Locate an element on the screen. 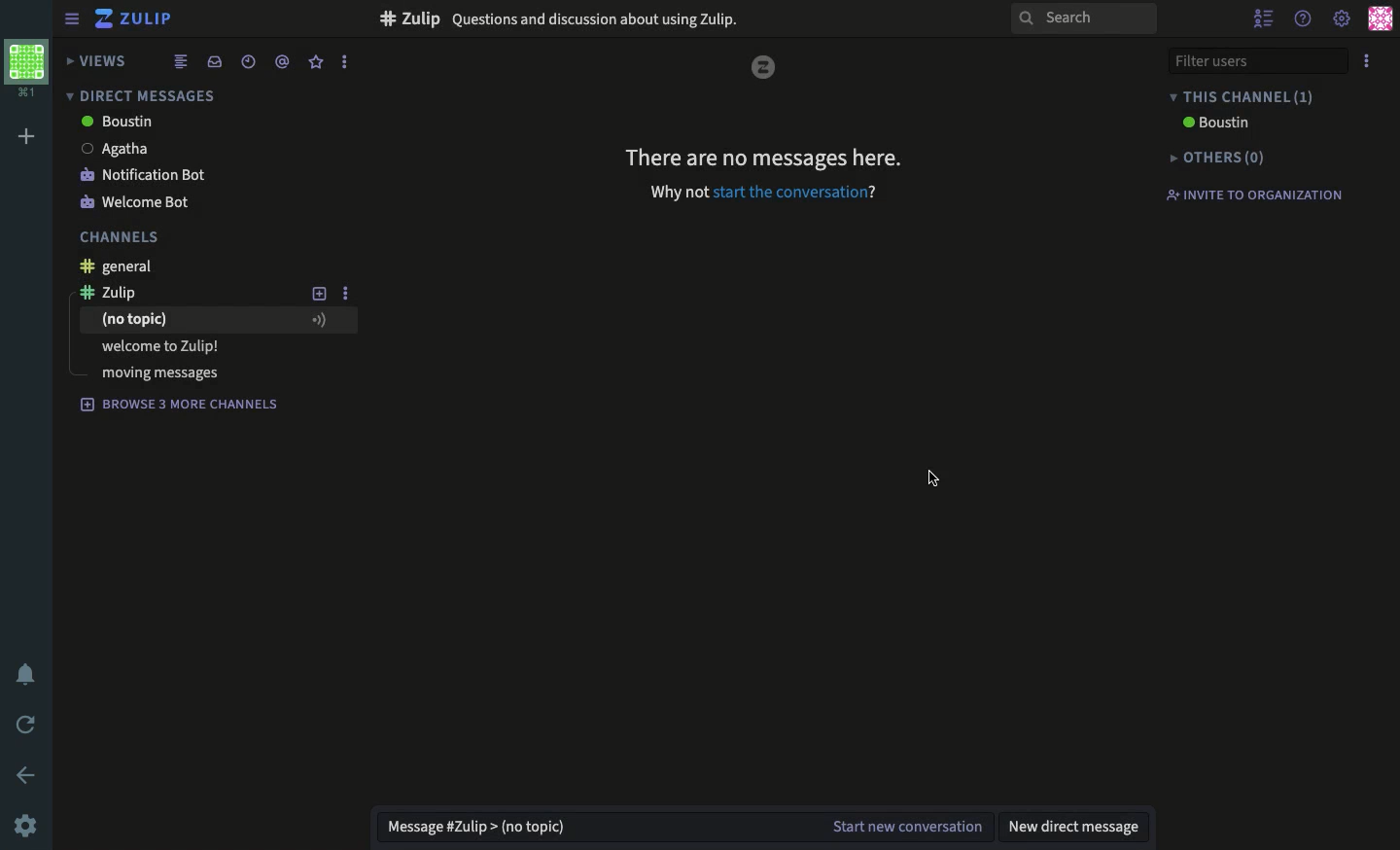 The width and height of the screenshot is (1400, 850). refresh is located at coordinates (27, 726).